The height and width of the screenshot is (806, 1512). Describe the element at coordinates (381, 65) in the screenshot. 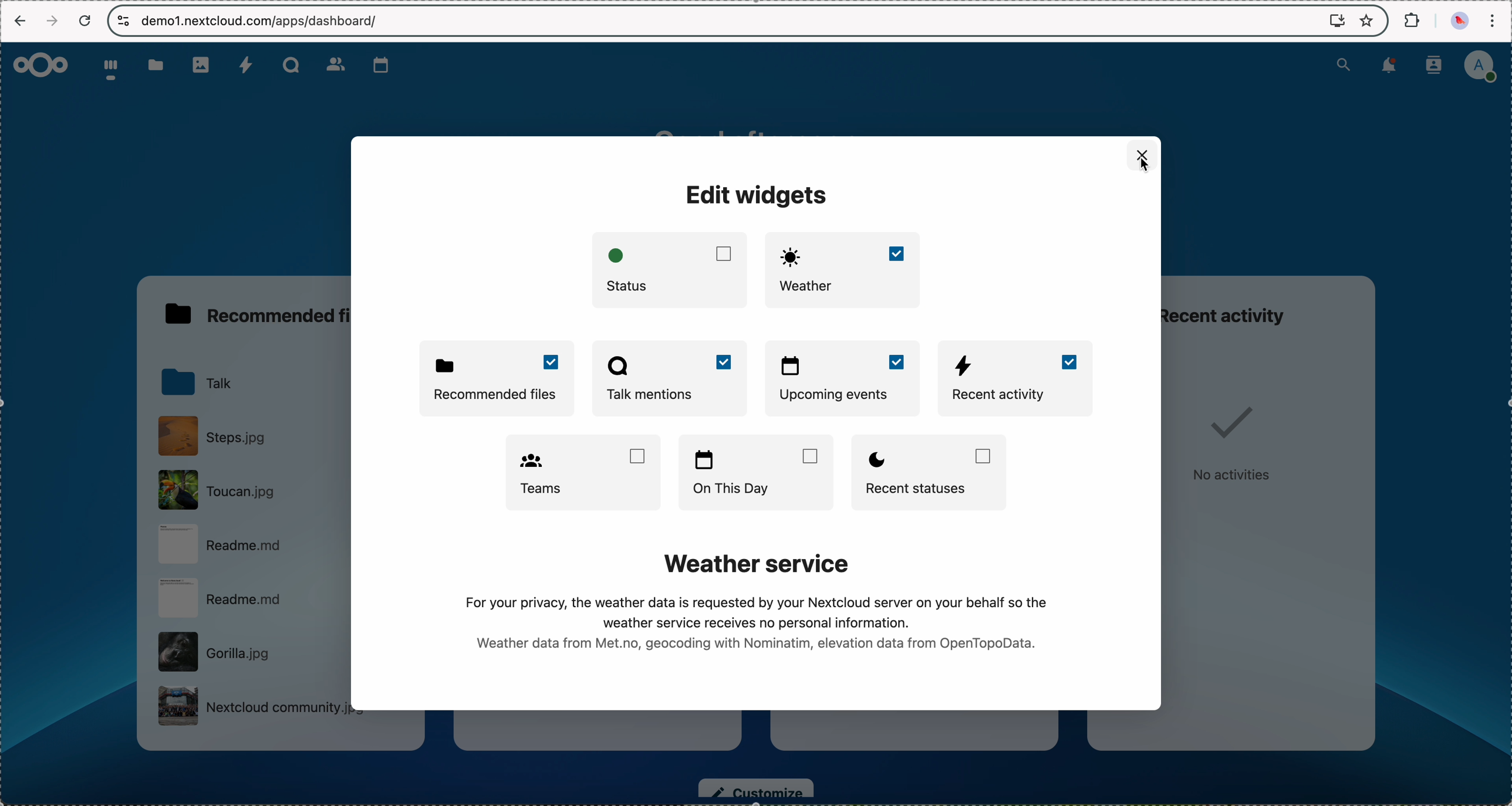

I see `calendar` at that location.